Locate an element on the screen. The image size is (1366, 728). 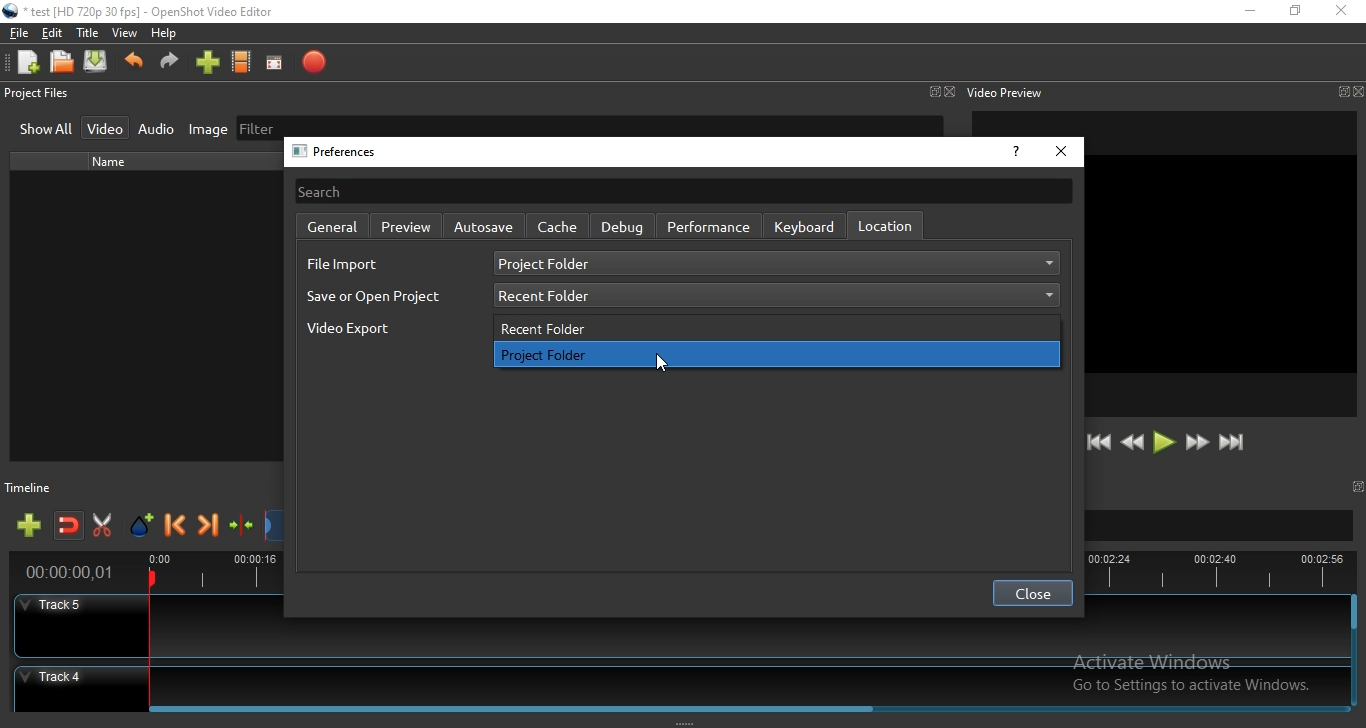
Title is located at coordinates (88, 33).